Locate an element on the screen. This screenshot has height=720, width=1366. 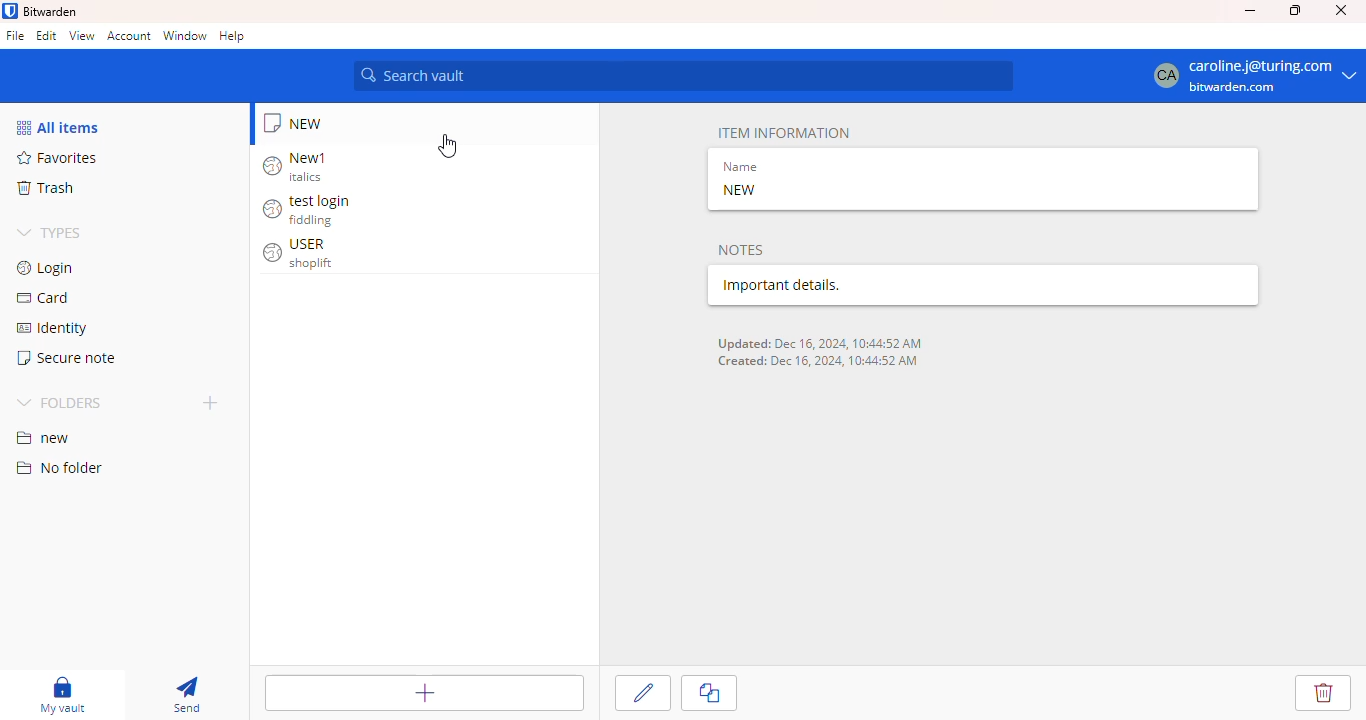
all items is located at coordinates (59, 127).